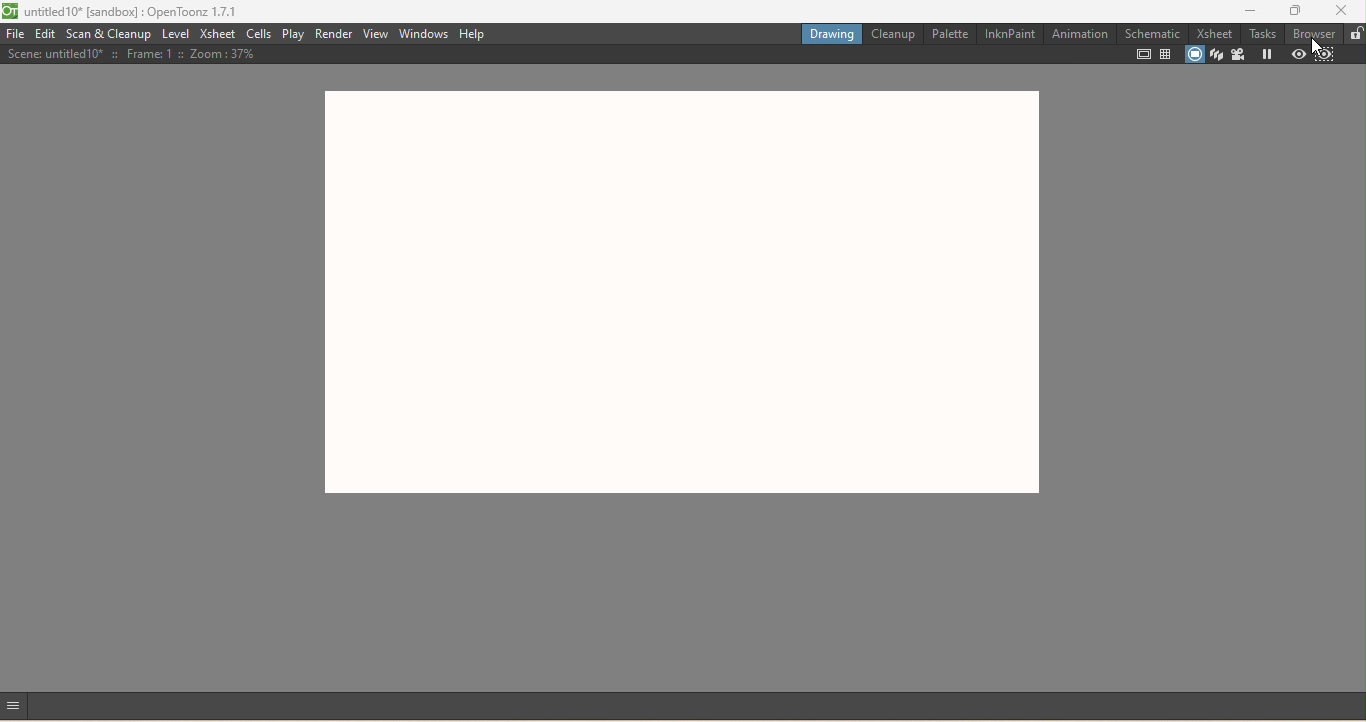 Image resolution: width=1366 pixels, height=722 pixels. What do you see at coordinates (1245, 10) in the screenshot?
I see `Minimize` at bounding box center [1245, 10].